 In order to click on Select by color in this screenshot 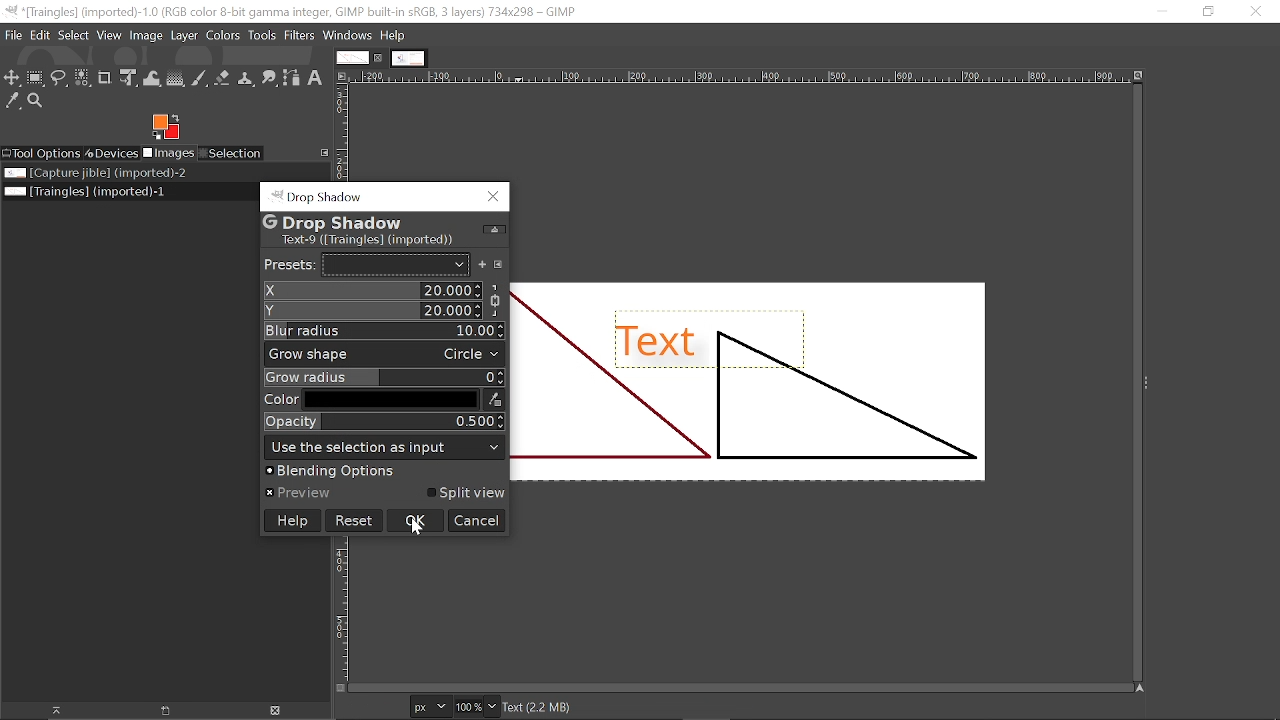, I will do `click(83, 79)`.